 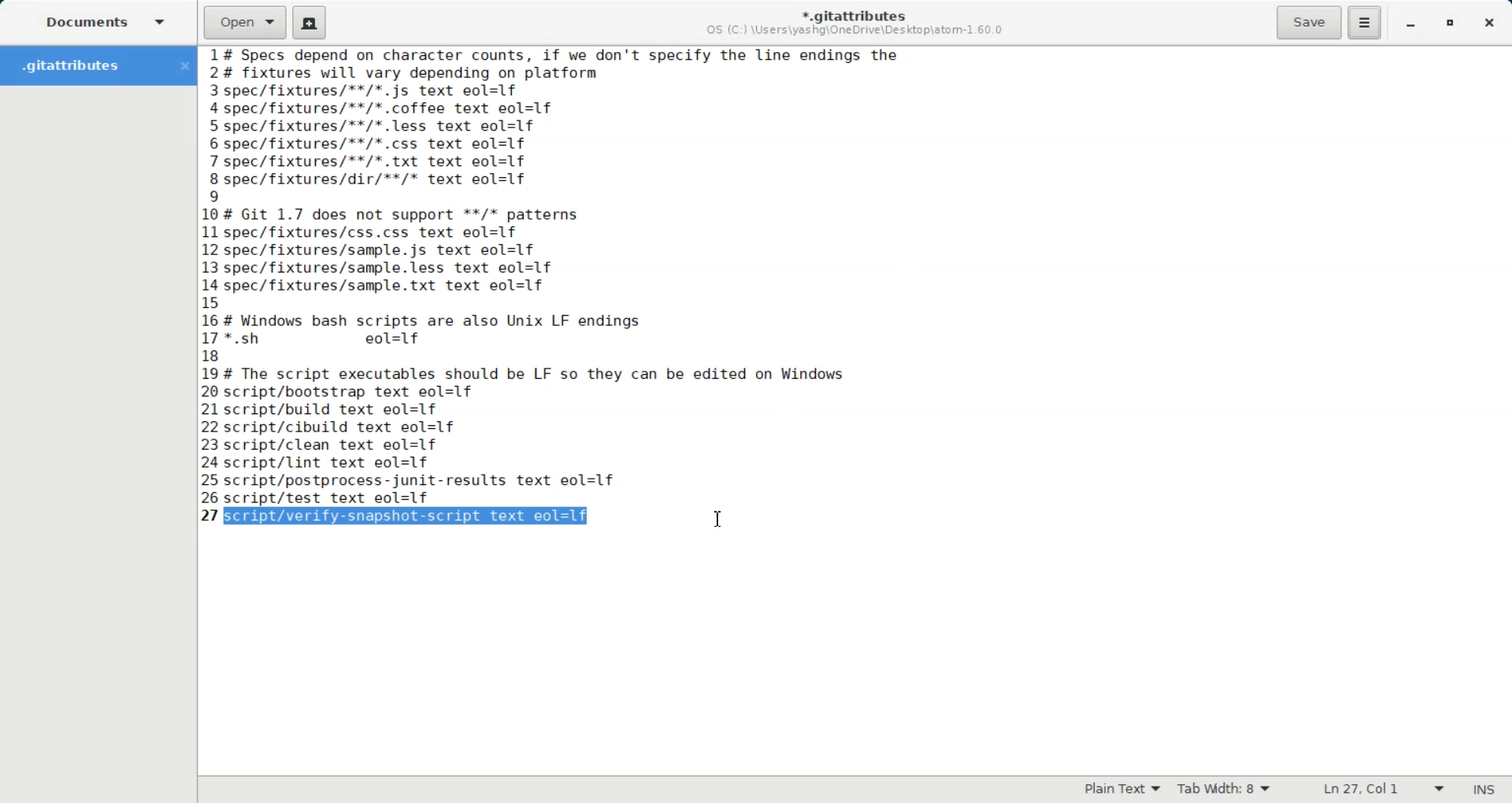 I want to click on text line number: 27, so click(x=212, y=515).